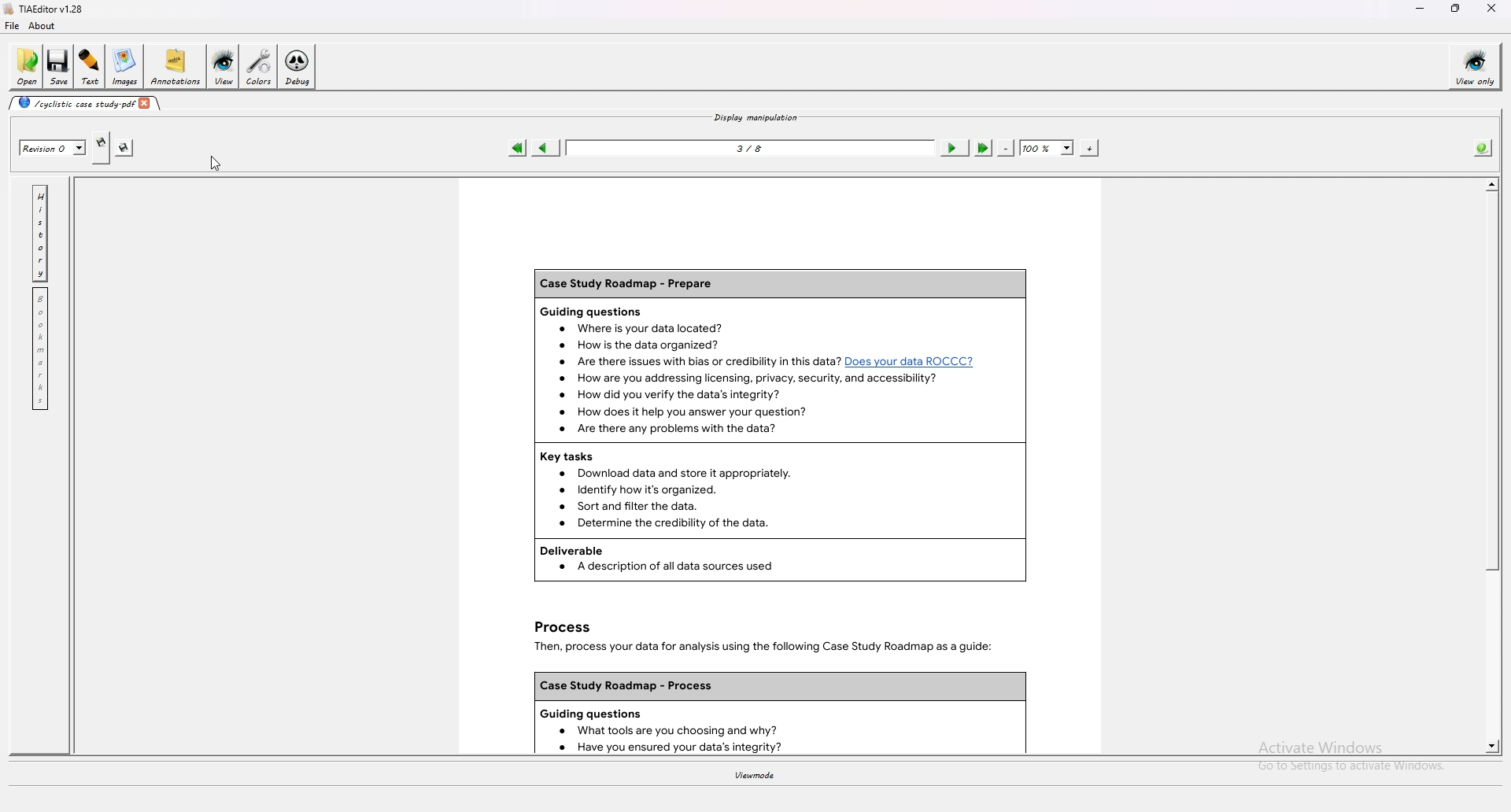 The width and height of the screenshot is (1511, 812). I want to click on zoom in, so click(1089, 148).